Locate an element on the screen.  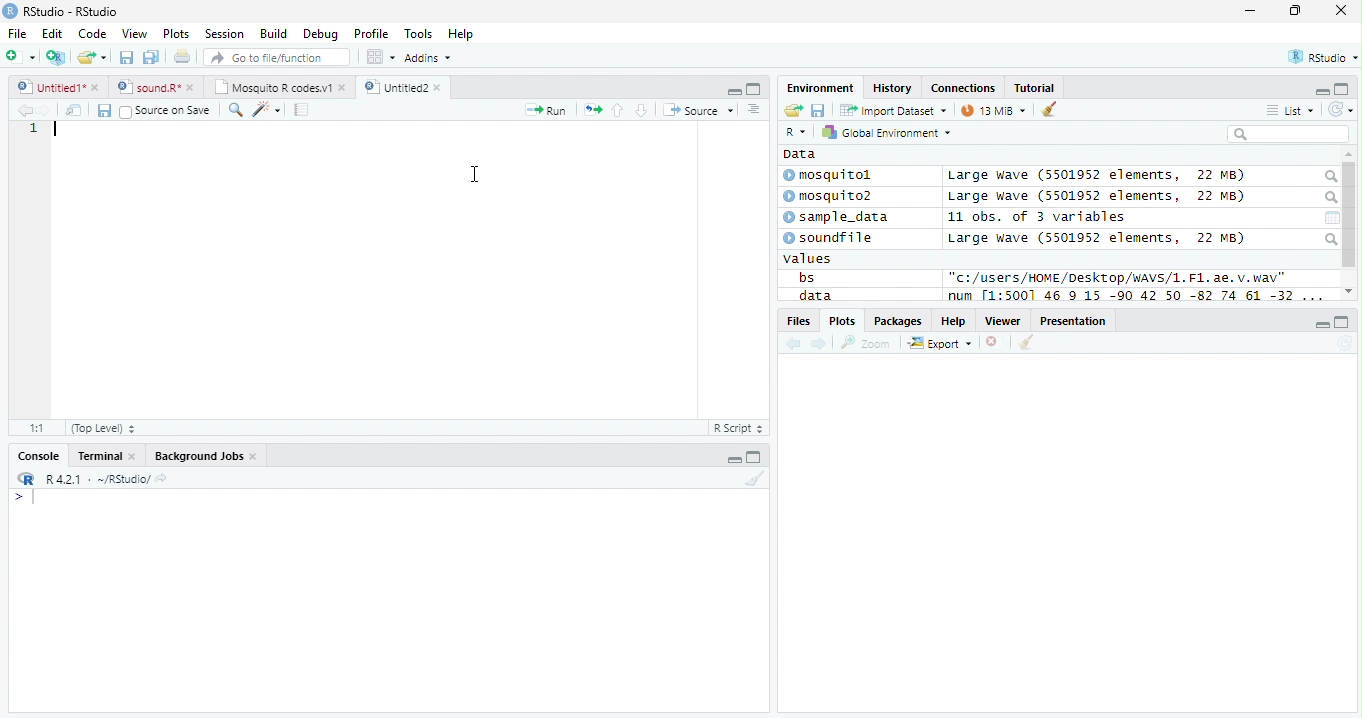
Save all the open documents is located at coordinates (151, 58).